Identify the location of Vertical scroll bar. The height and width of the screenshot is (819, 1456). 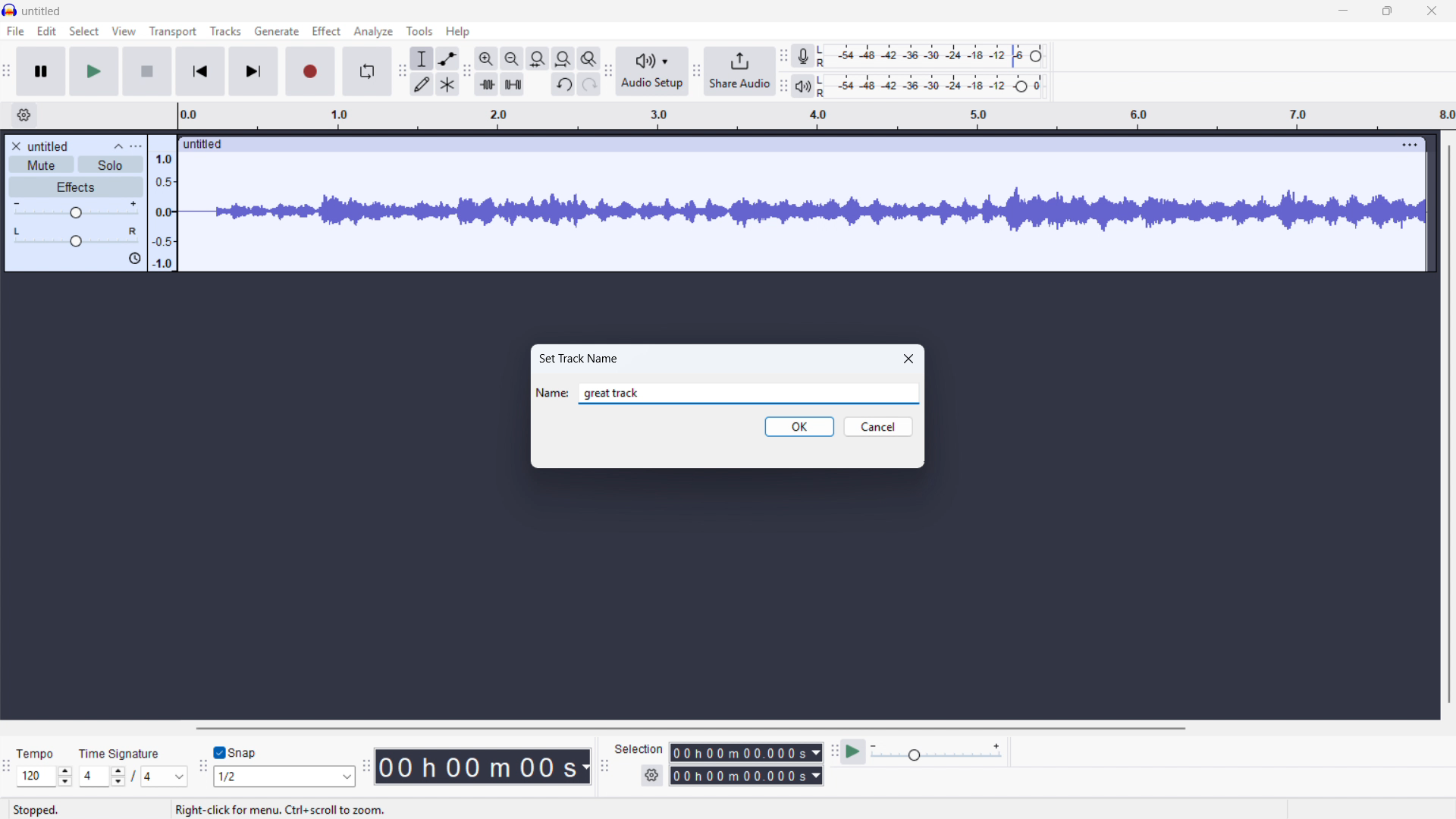
(1448, 422).